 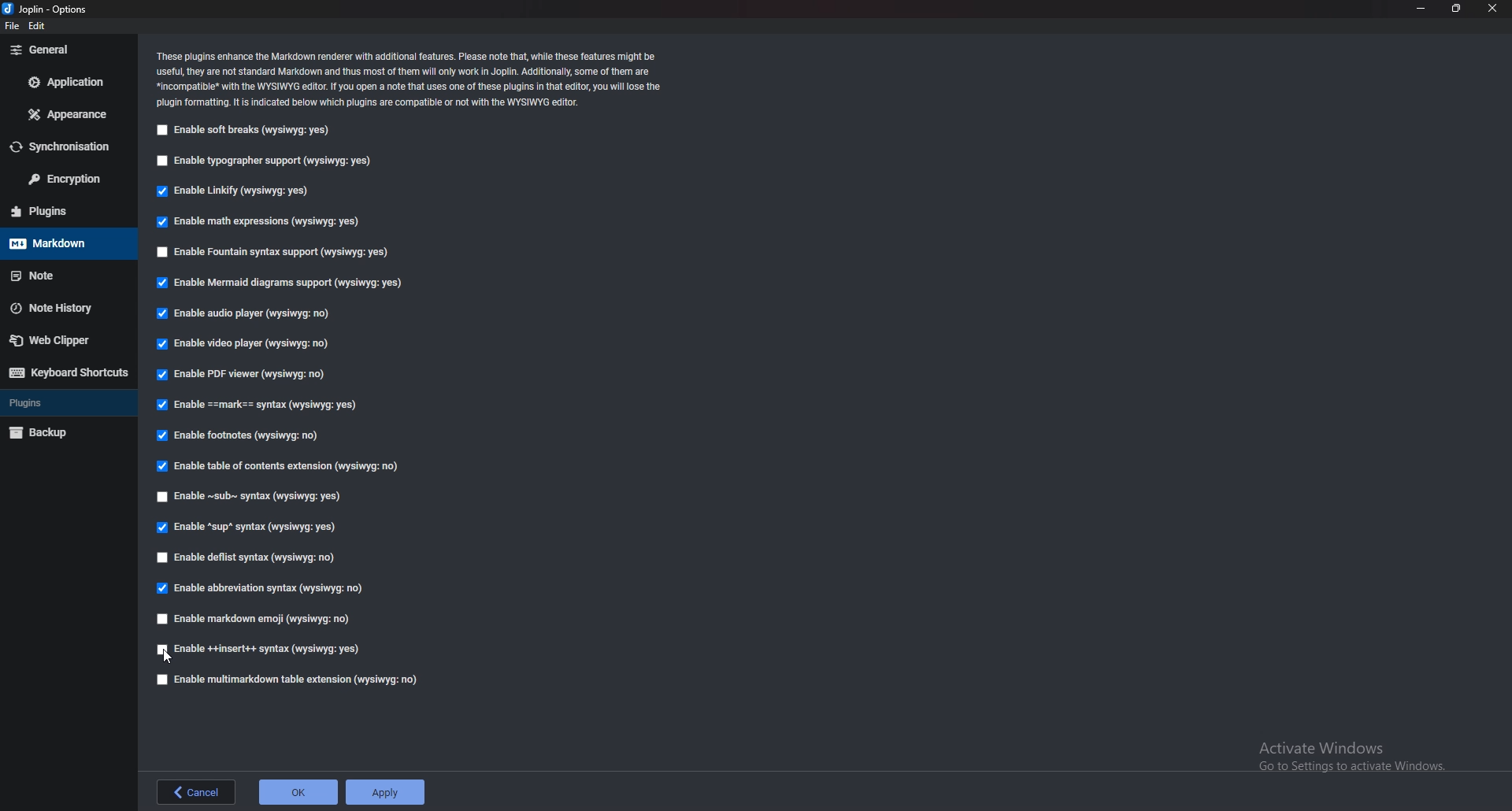 I want to click on minimize, so click(x=1419, y=7).